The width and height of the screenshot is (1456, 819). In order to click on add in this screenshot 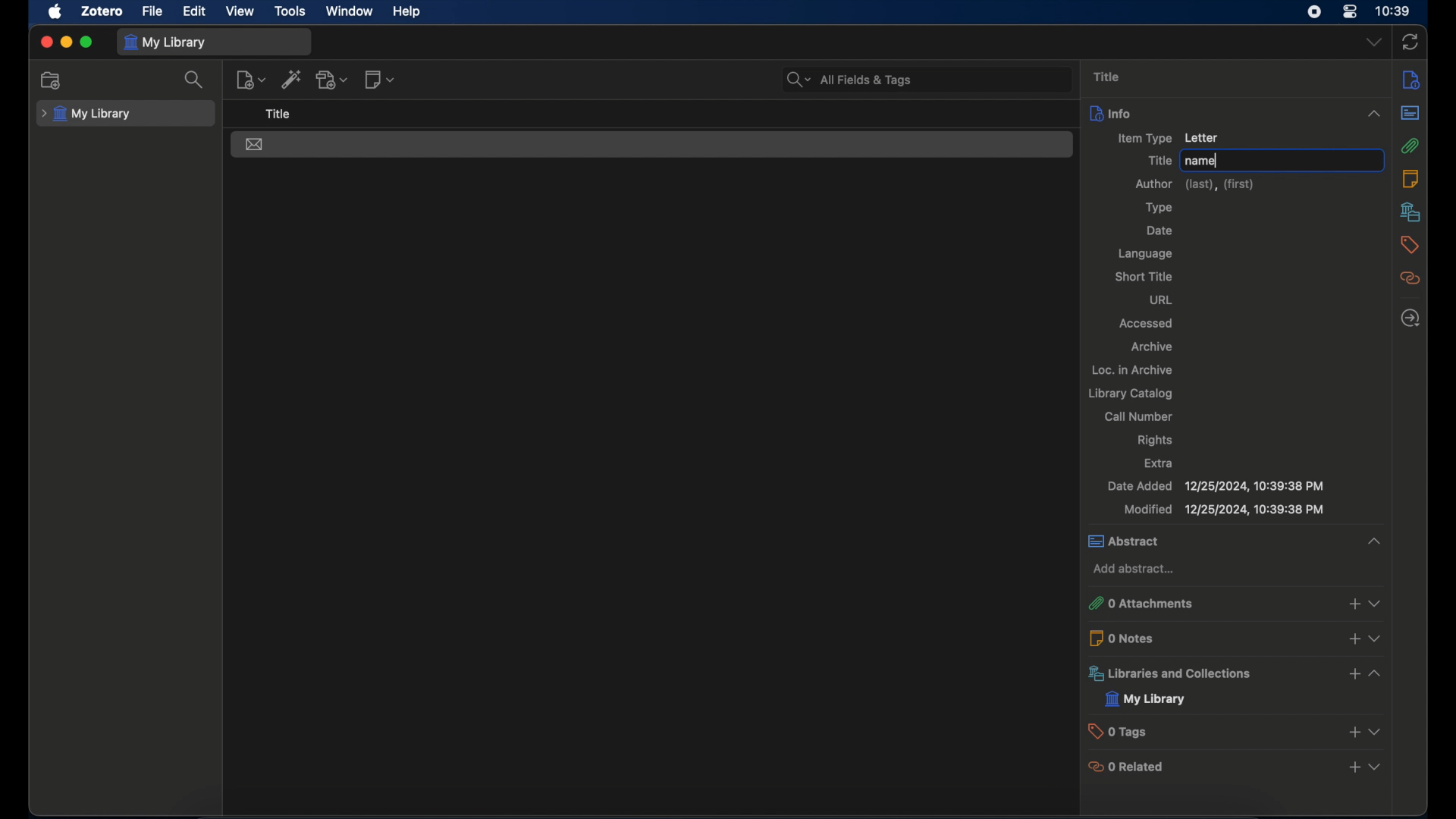, I will do `click(1353, 767)`.